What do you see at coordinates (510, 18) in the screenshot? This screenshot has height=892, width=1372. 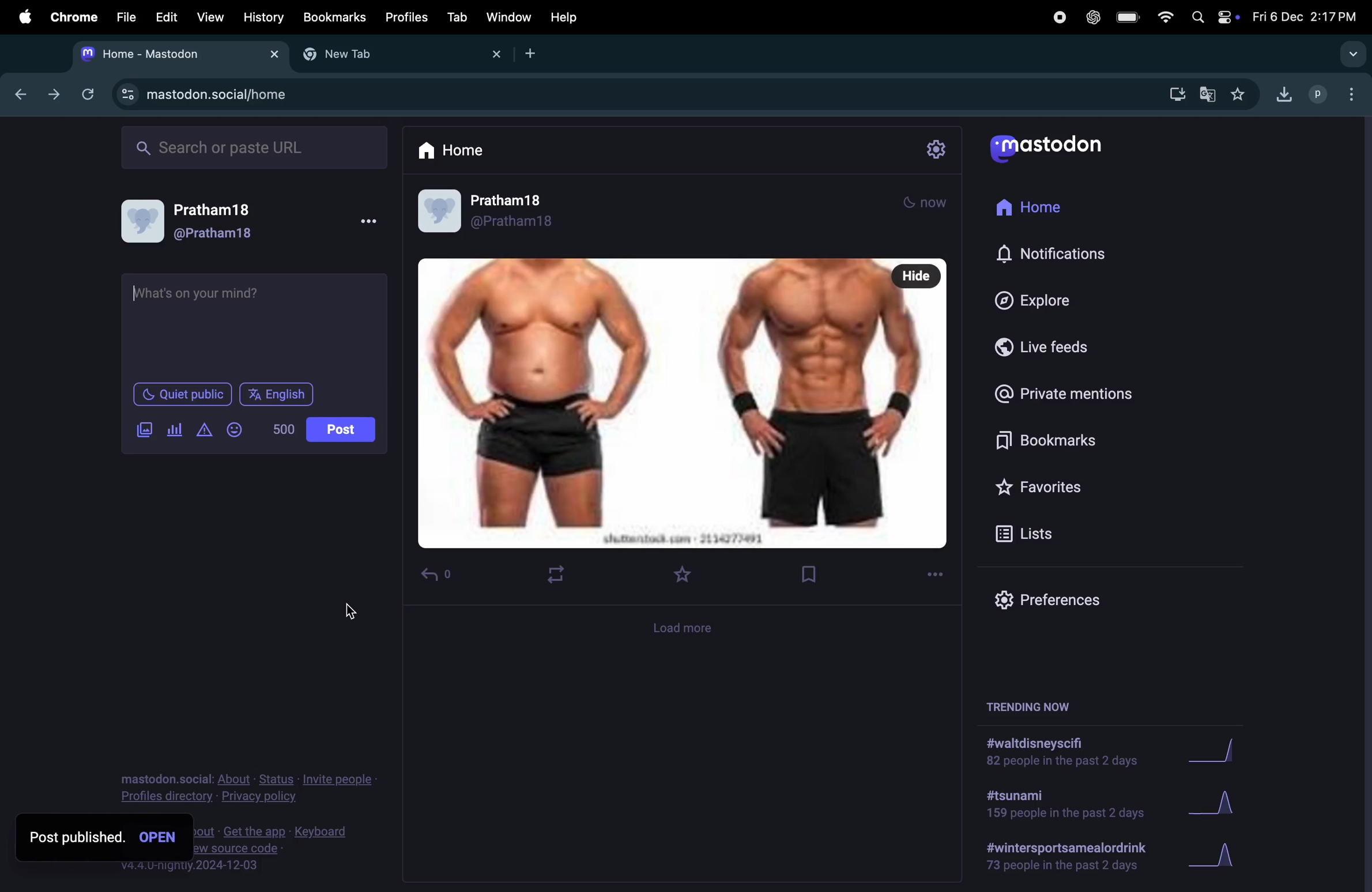 I see `window` at bounding box center [510, 18].